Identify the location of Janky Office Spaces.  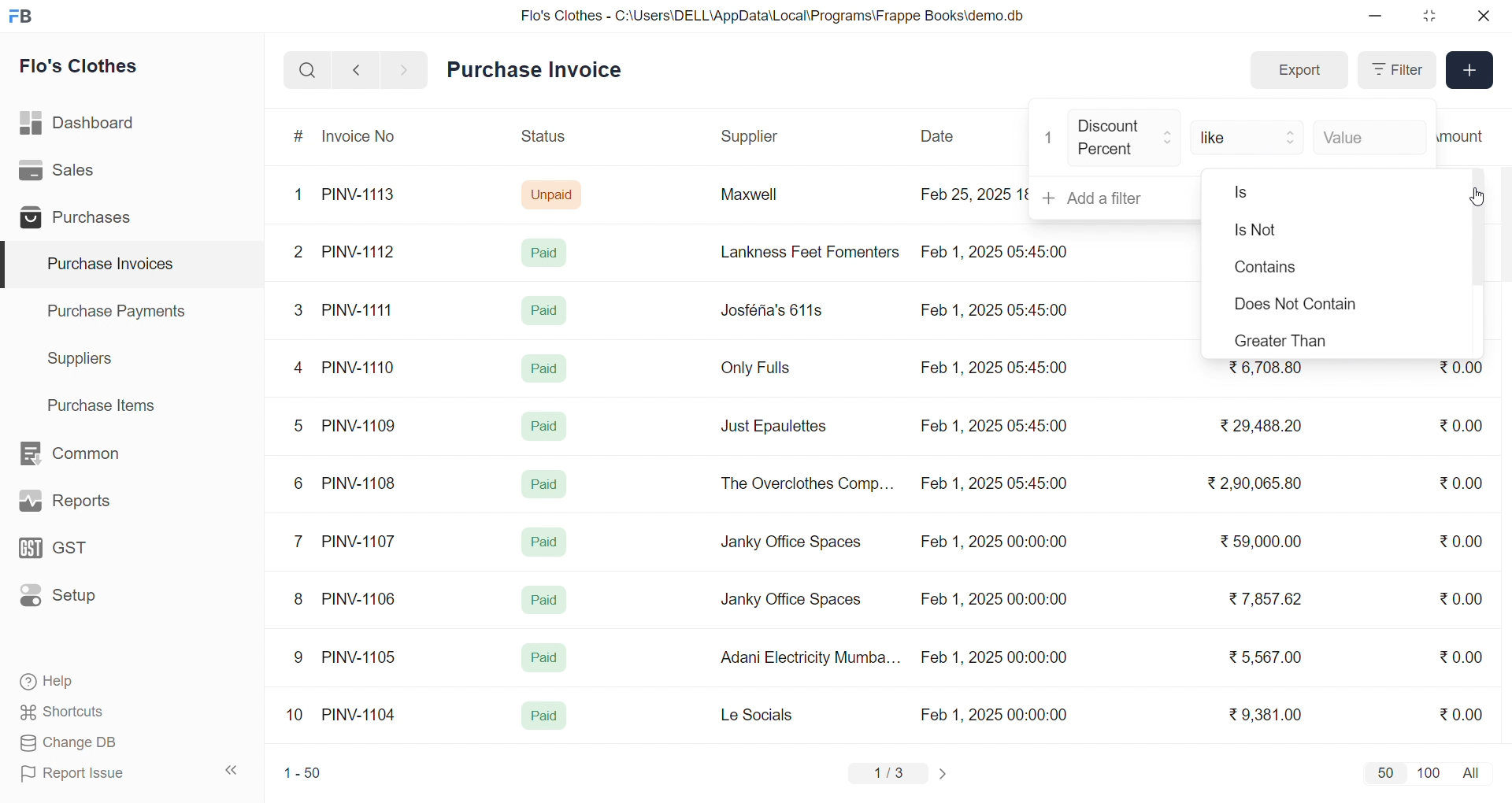
(791, 601).